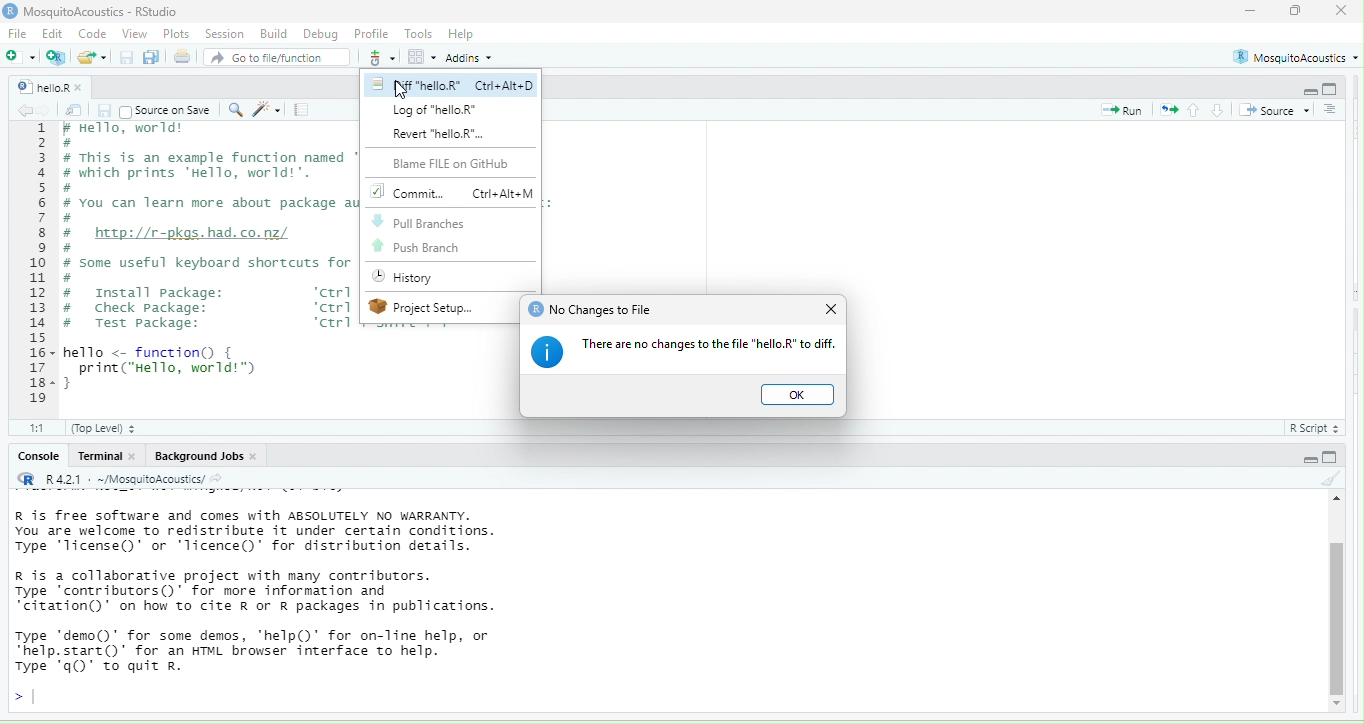 This screenshot has width=1364, height=724. What do you see at coordinates (201, 456) in the screenshot?
I see `Background Jobs` at bounding box center [201, 456].